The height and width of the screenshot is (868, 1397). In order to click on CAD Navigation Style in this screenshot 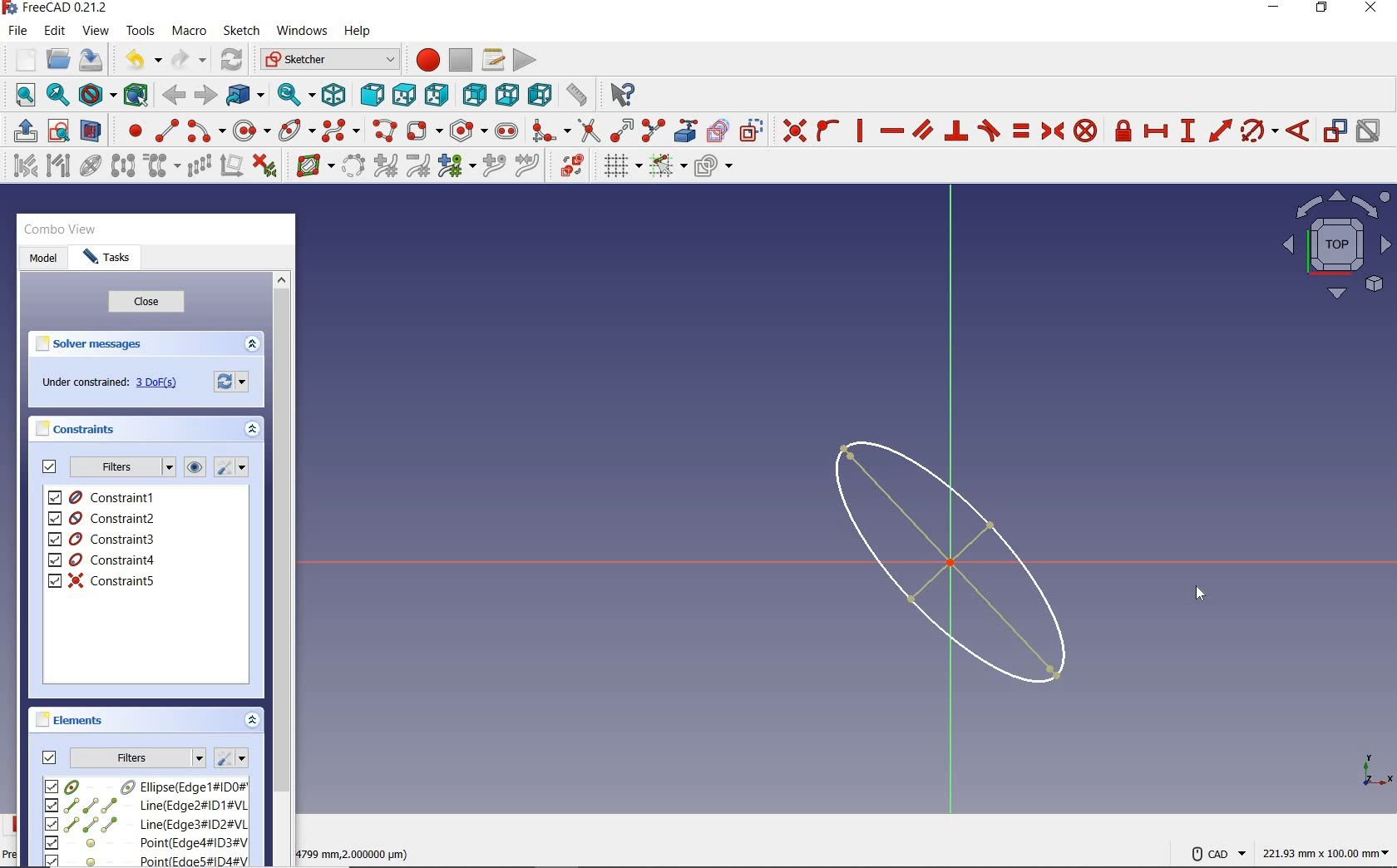, I will do `click(1214, 851)`.